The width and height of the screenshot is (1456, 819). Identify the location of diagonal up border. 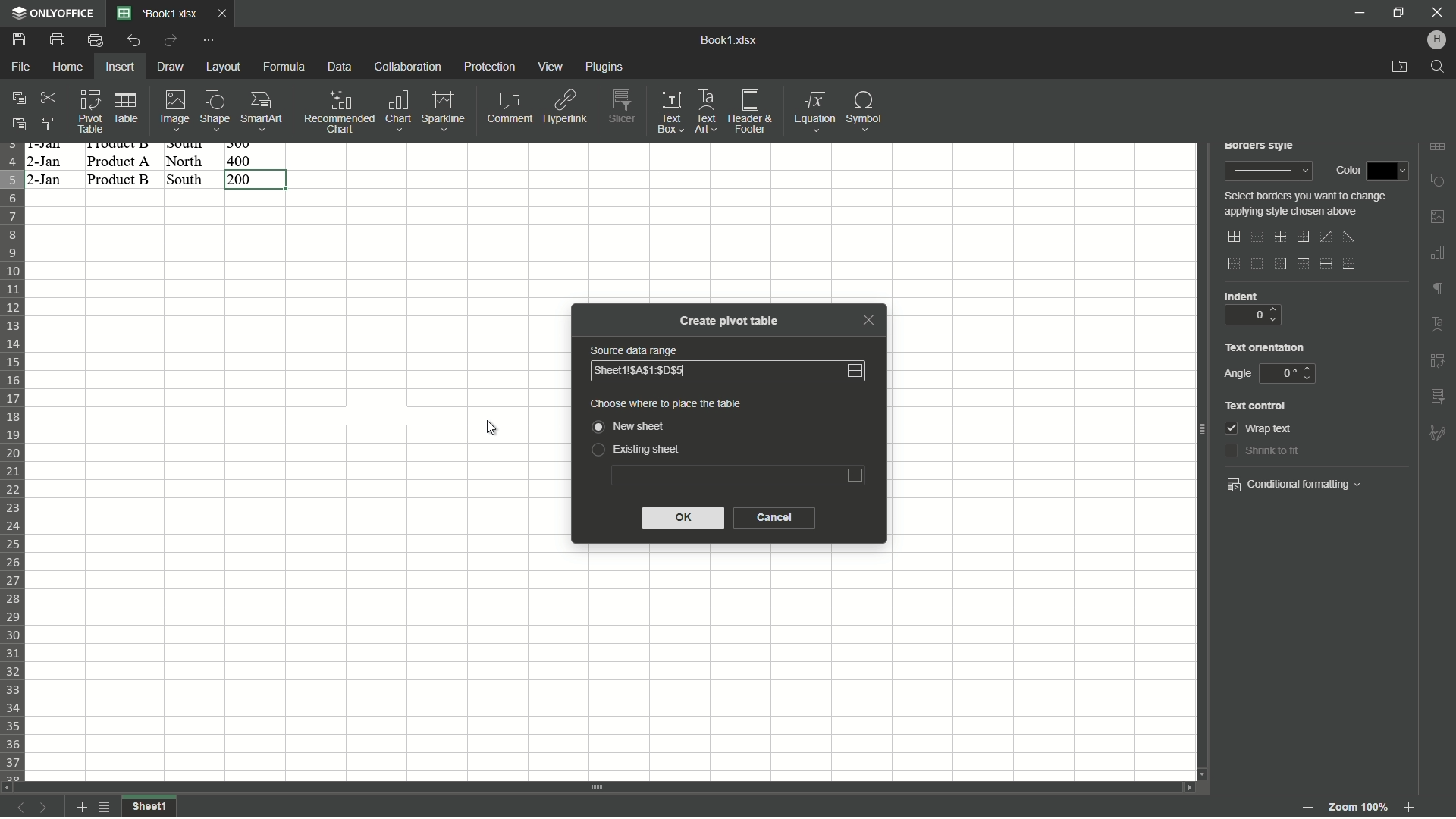
(1328, 237).